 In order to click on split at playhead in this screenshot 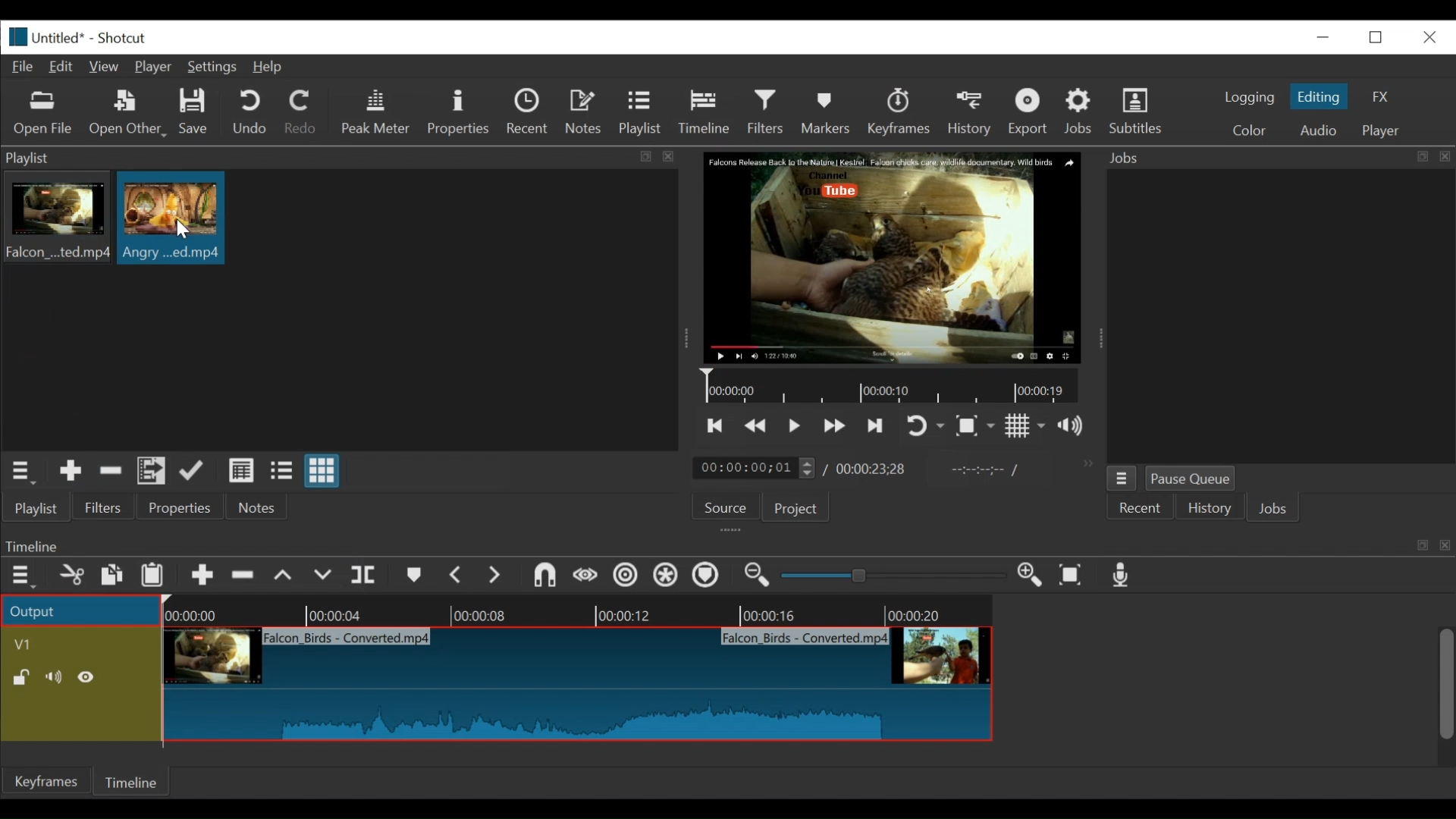, I will do `click(366, 576)`.